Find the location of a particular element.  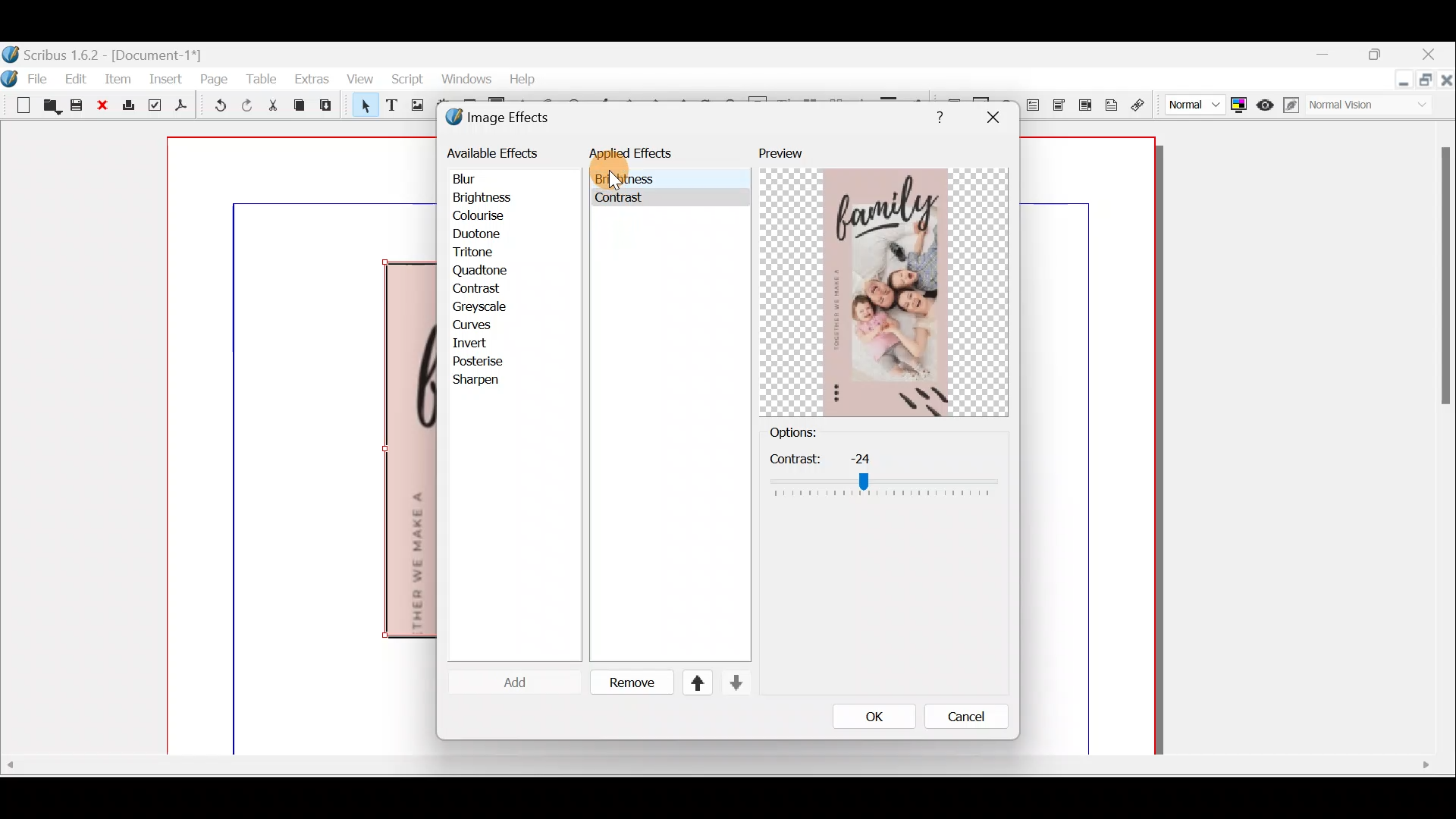

Table is located at coordinates (262, 78).